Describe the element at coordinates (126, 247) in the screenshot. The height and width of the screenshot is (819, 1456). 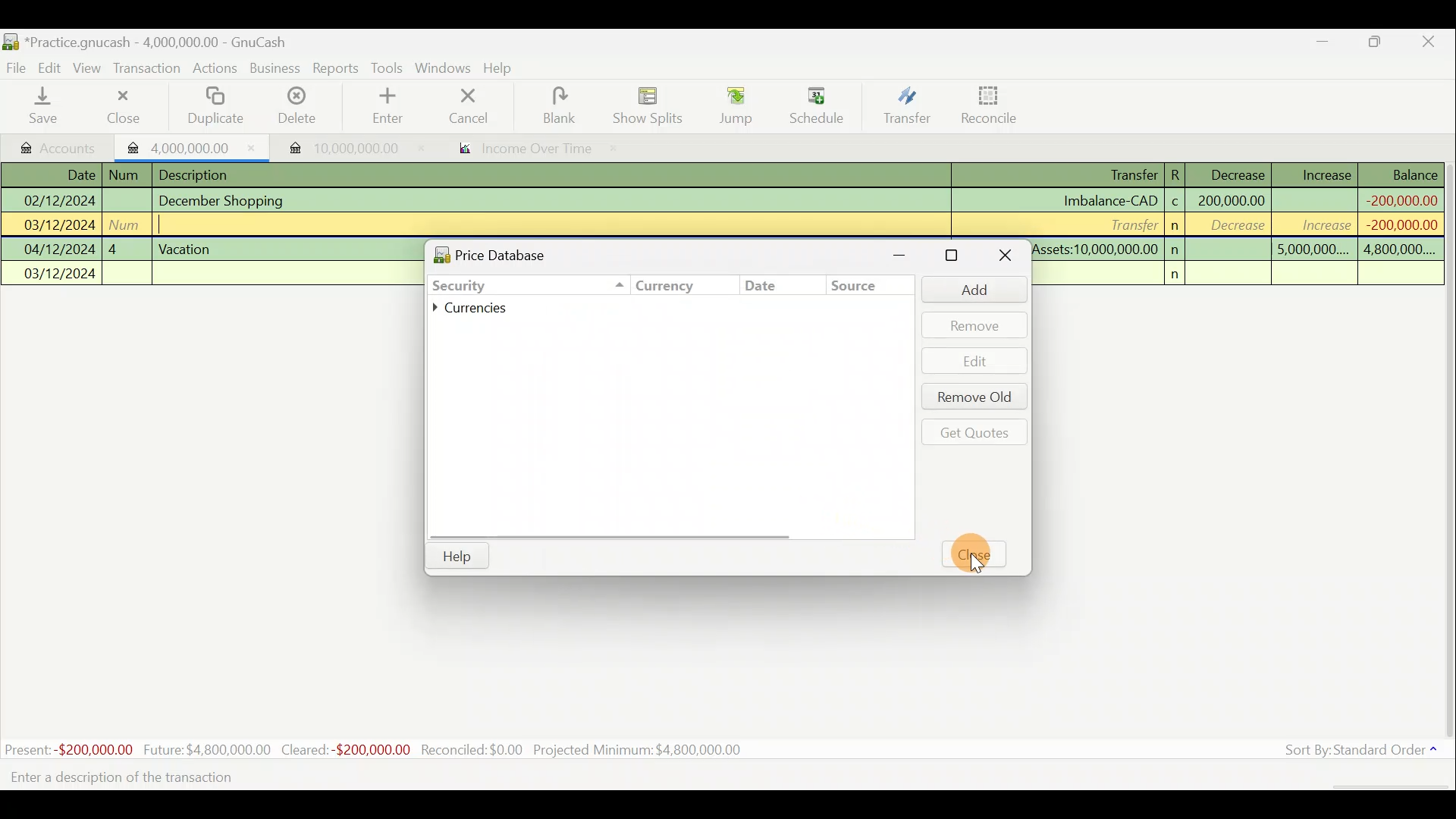
I see `4` at that location.